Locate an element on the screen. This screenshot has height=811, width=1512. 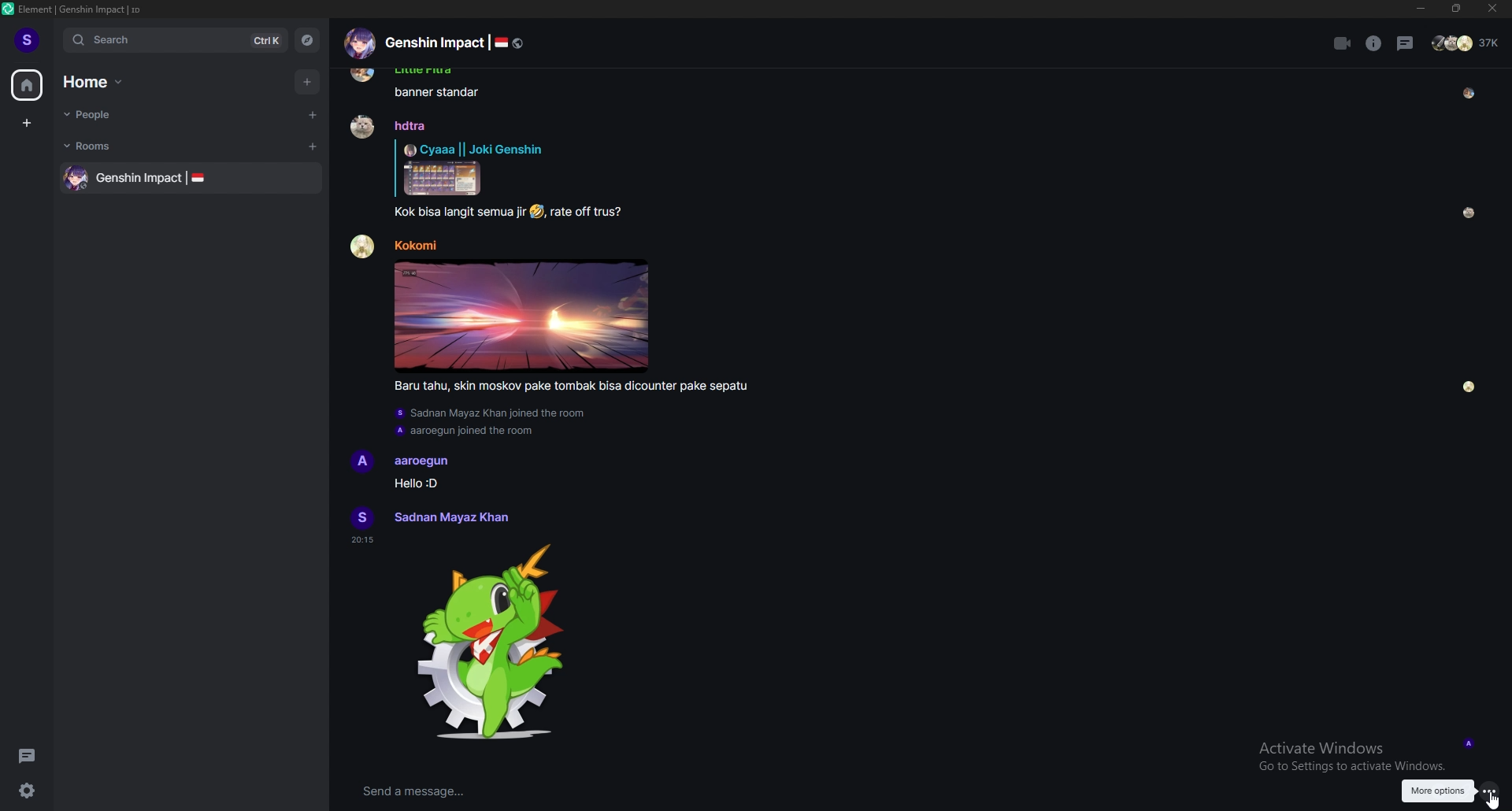
info is located at coordinates (1374, 43).